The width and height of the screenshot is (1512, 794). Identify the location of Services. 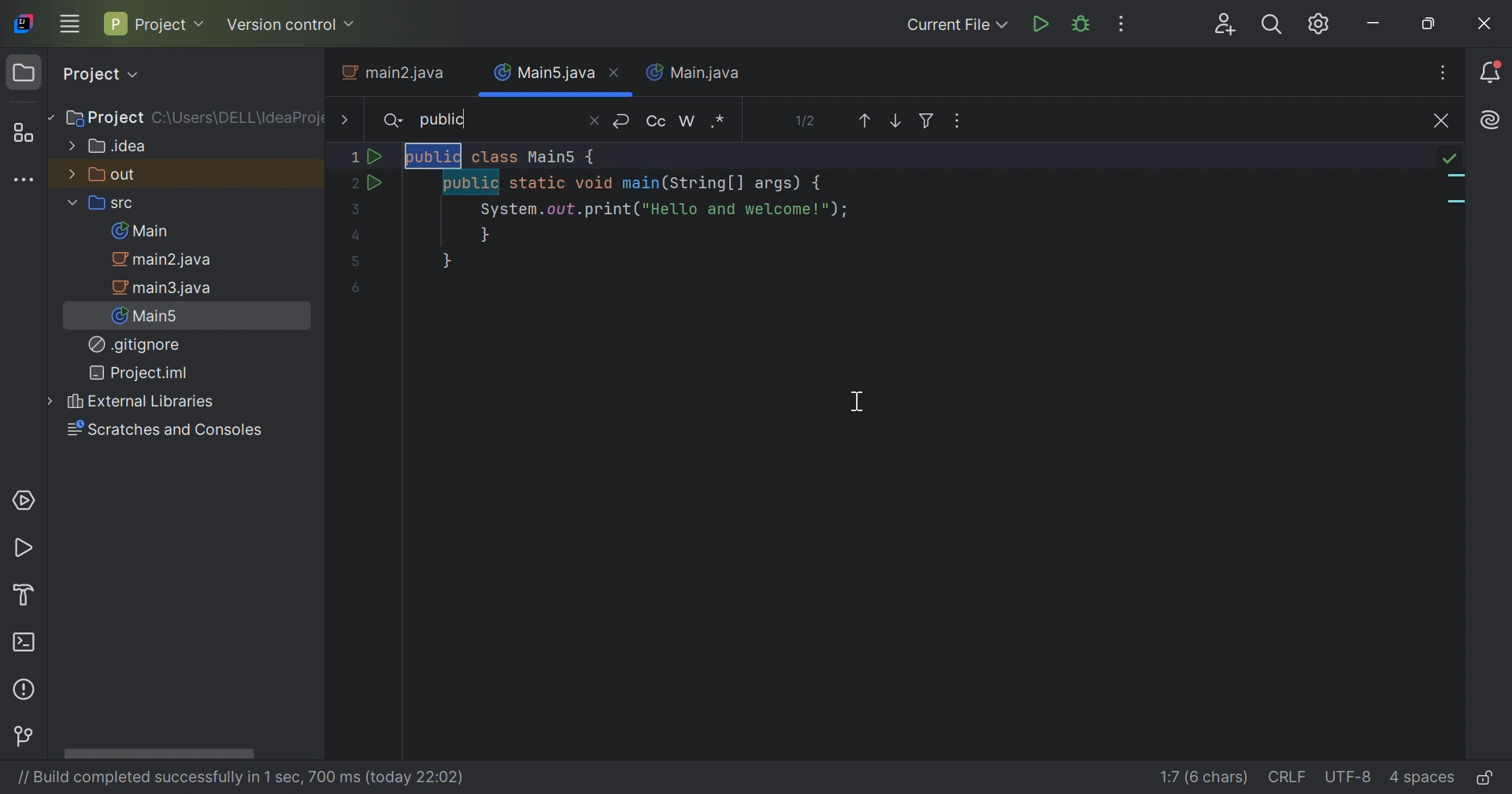
(22, 499).